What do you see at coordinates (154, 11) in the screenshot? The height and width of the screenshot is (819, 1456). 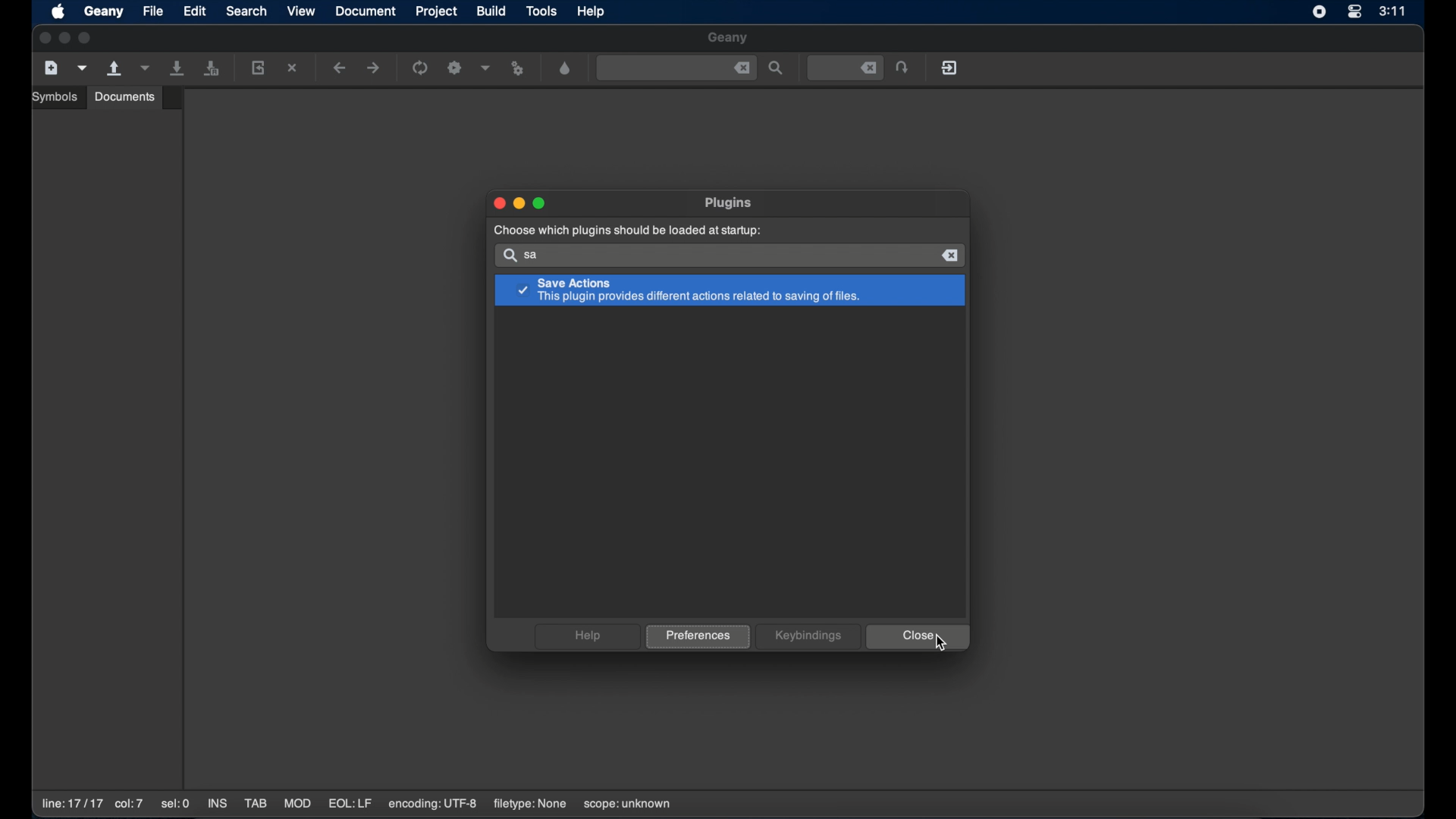 I see `file` at bounding box center [154, 11].